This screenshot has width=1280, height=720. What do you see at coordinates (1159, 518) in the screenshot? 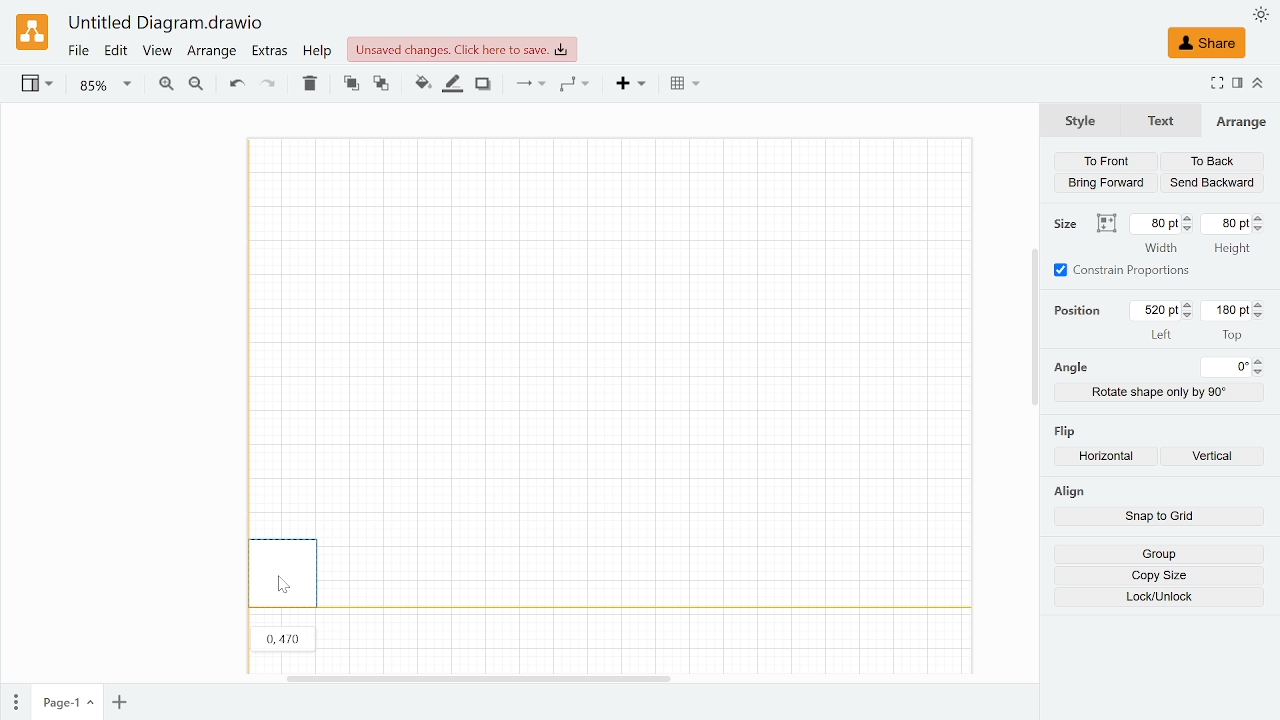
I see `Snap to grid` at bounding box center [1159, 518].